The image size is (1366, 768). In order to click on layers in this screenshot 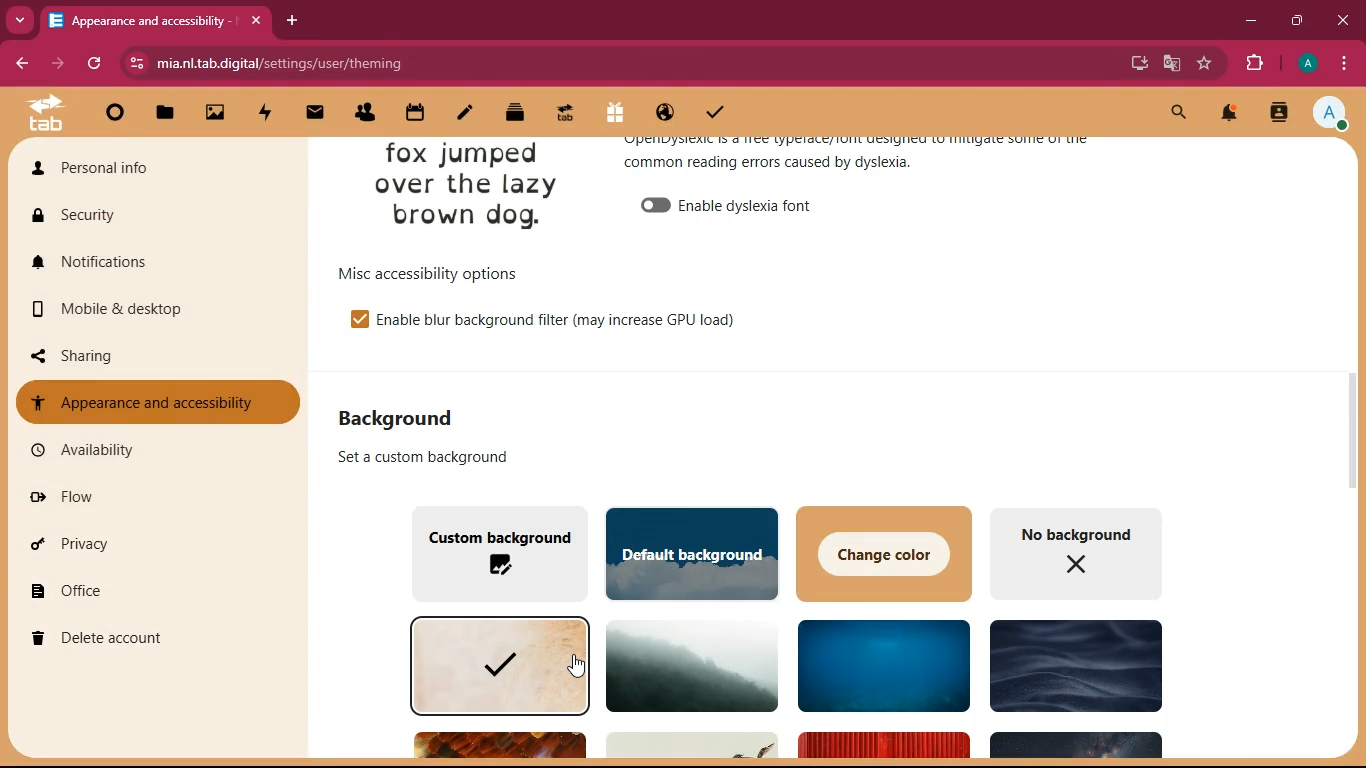, I will do `click(515, 115)`.